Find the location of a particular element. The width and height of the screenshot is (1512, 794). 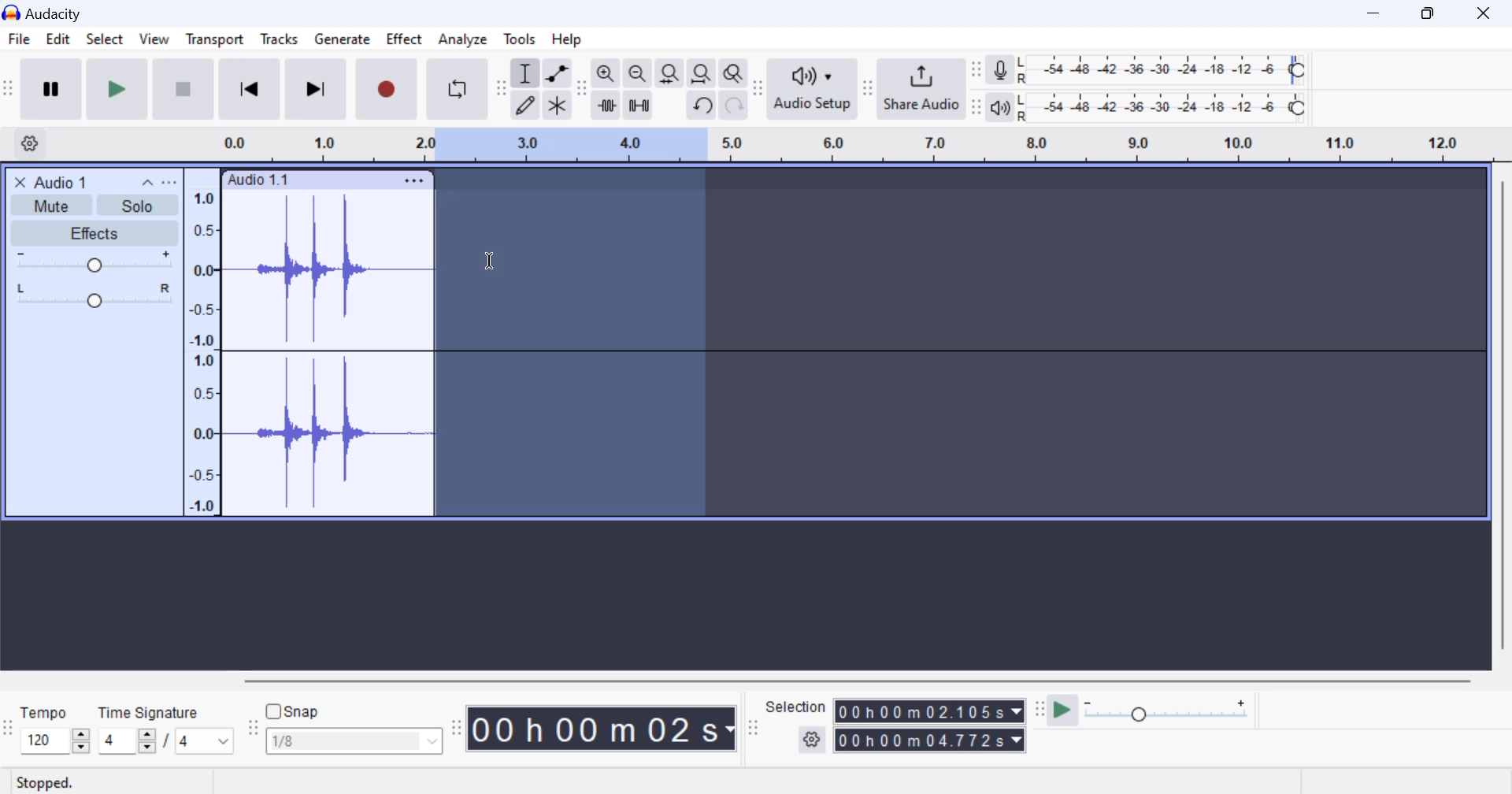

multi tool is located at coordinates (558, 106).